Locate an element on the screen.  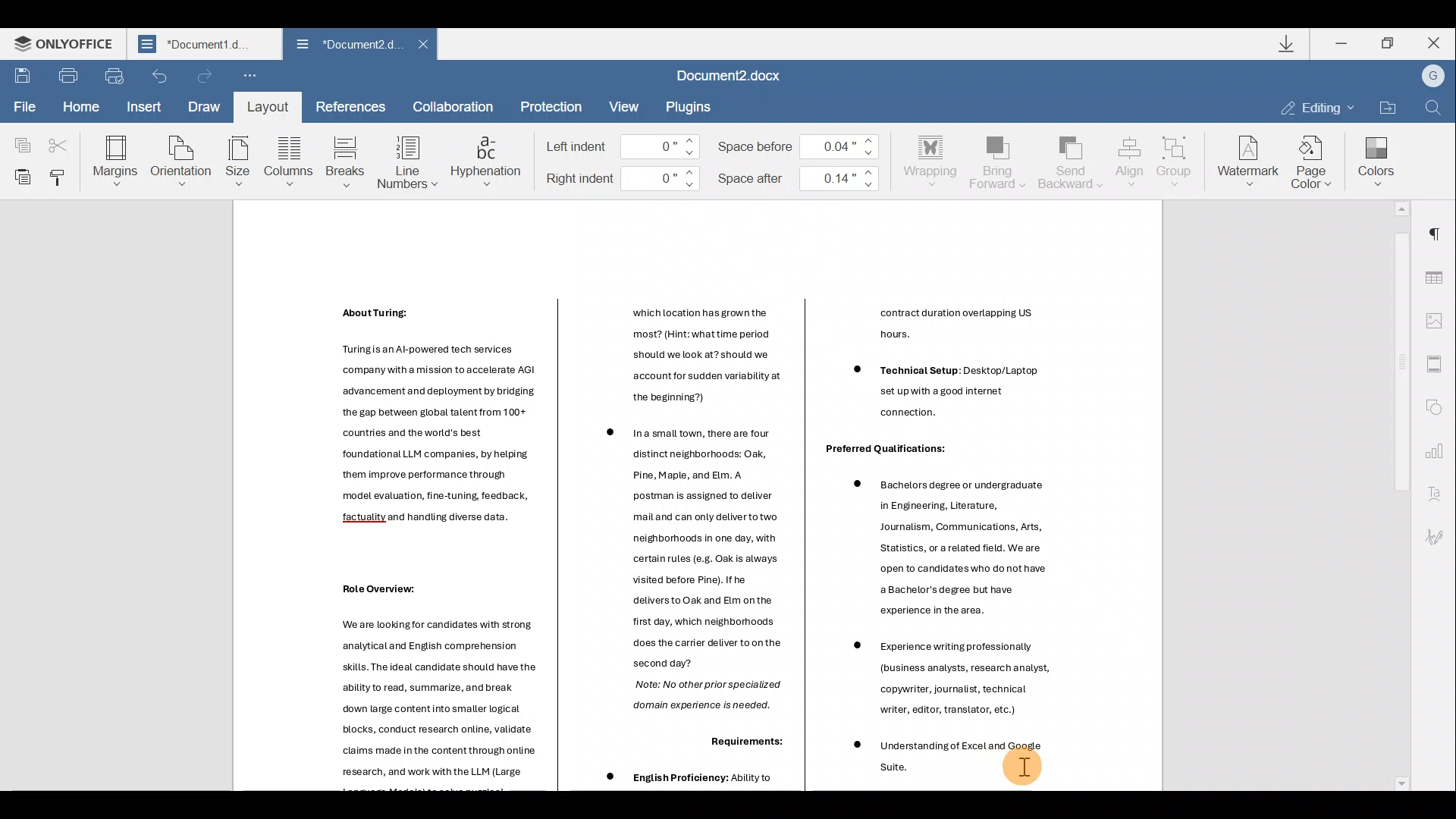
Group is located at coordinates (1177, 157).